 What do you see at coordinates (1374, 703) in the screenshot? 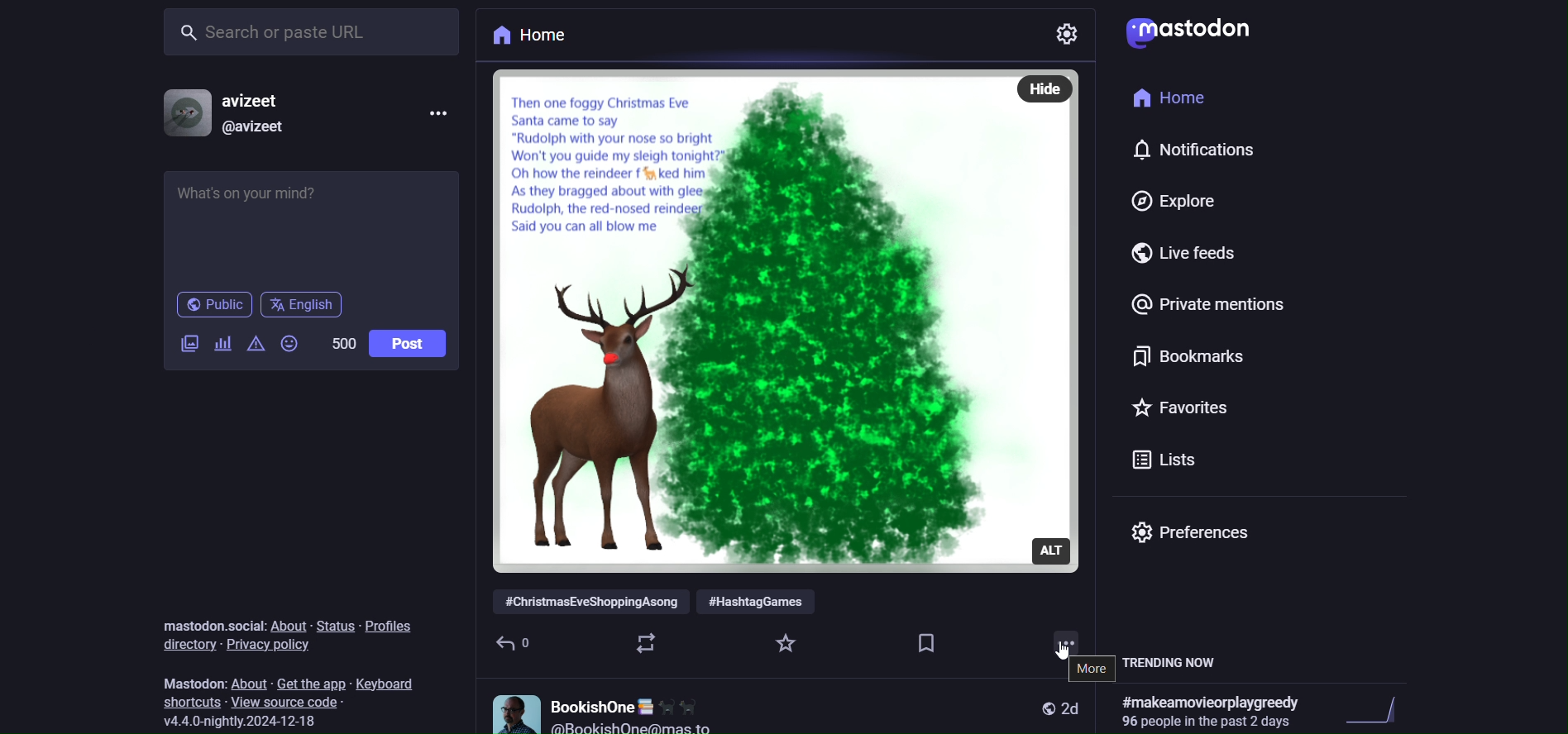
I see `trending graph` at bounding box center [1374, 703].